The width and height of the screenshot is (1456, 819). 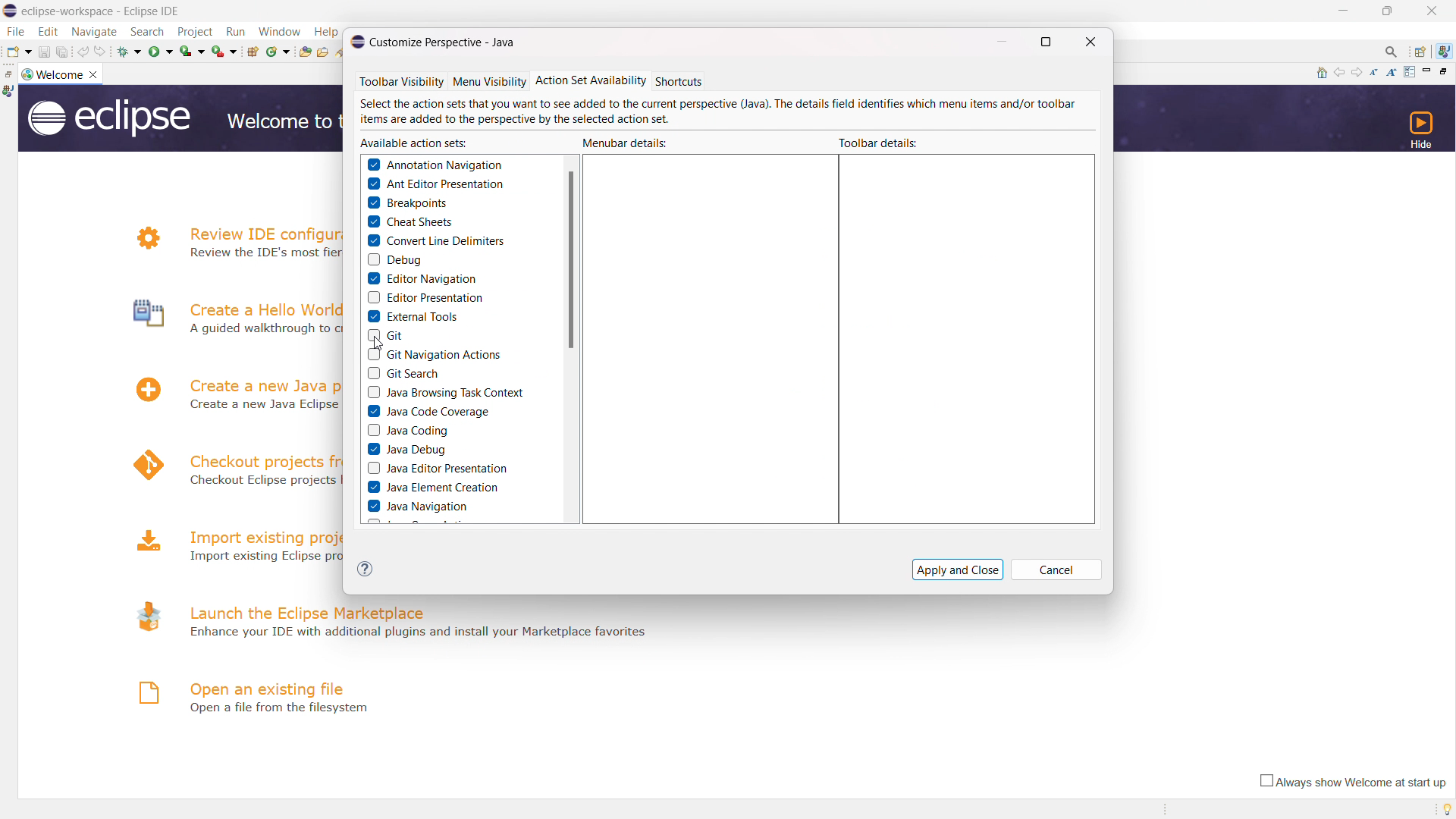 What do you see at coordinates (723, 112) in the screenshot?
I see `Select the action sets that you want to see added to the current perspective (Java). Ihe details field identifies which menu items and/or toolbar
items are added to the perspective by the selected action set.` at bounding box center [723, 112].